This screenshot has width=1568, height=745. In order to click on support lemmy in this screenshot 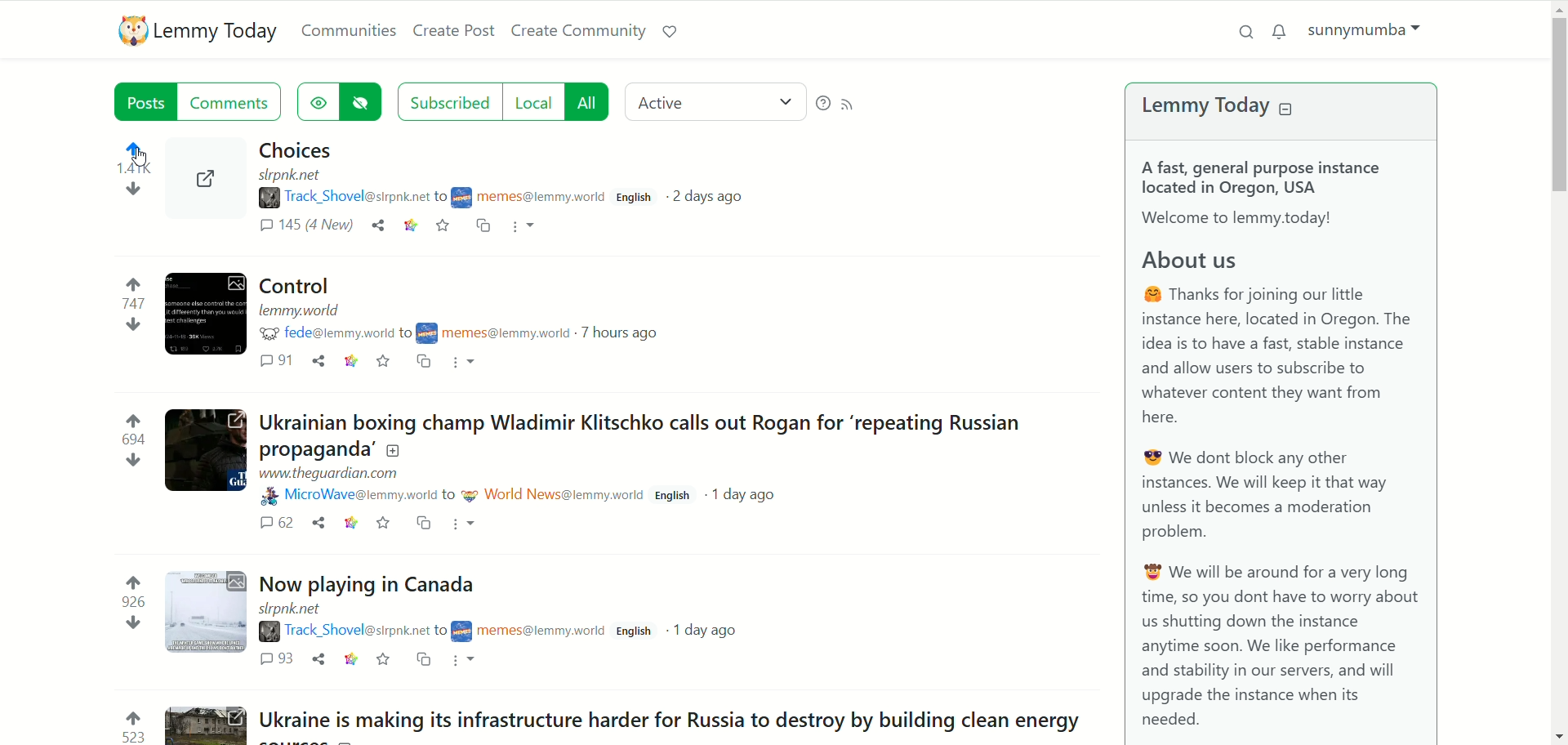, I will do `click(669, 34)`.